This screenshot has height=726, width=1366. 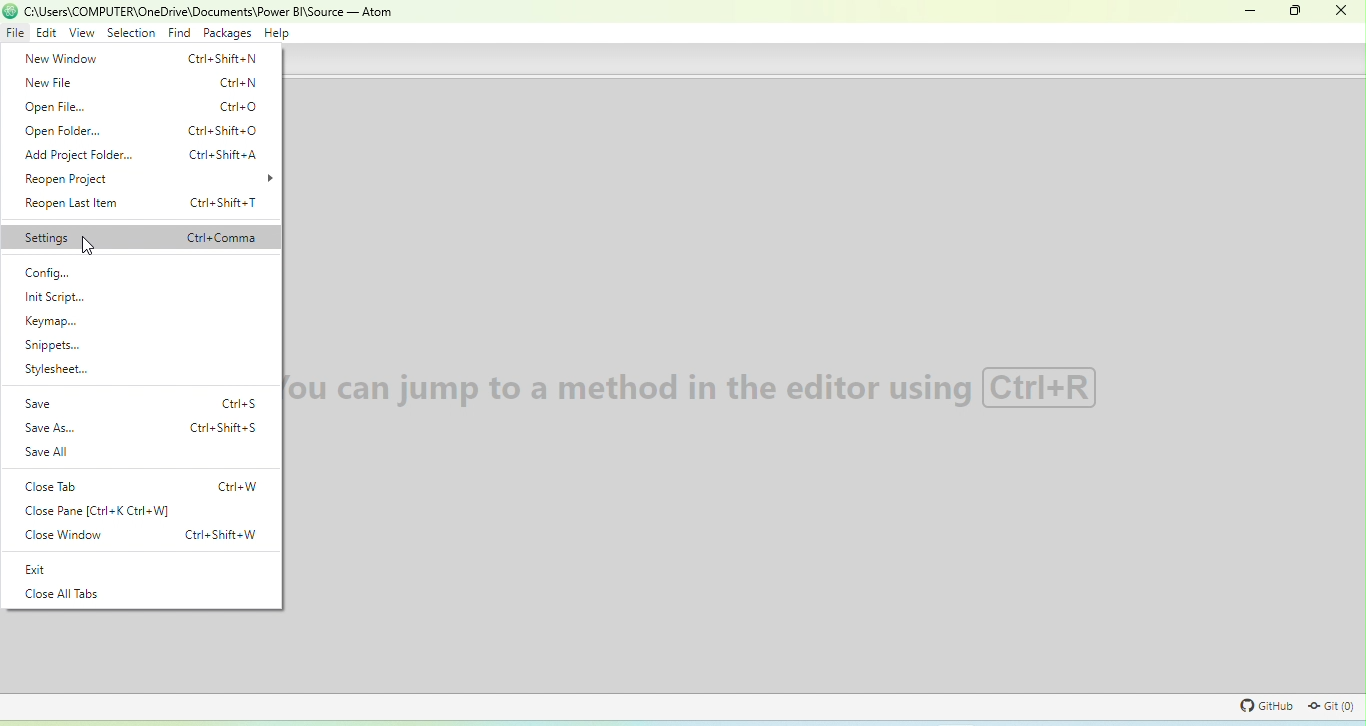 I want to click on settings, so click(x=141, y=238).